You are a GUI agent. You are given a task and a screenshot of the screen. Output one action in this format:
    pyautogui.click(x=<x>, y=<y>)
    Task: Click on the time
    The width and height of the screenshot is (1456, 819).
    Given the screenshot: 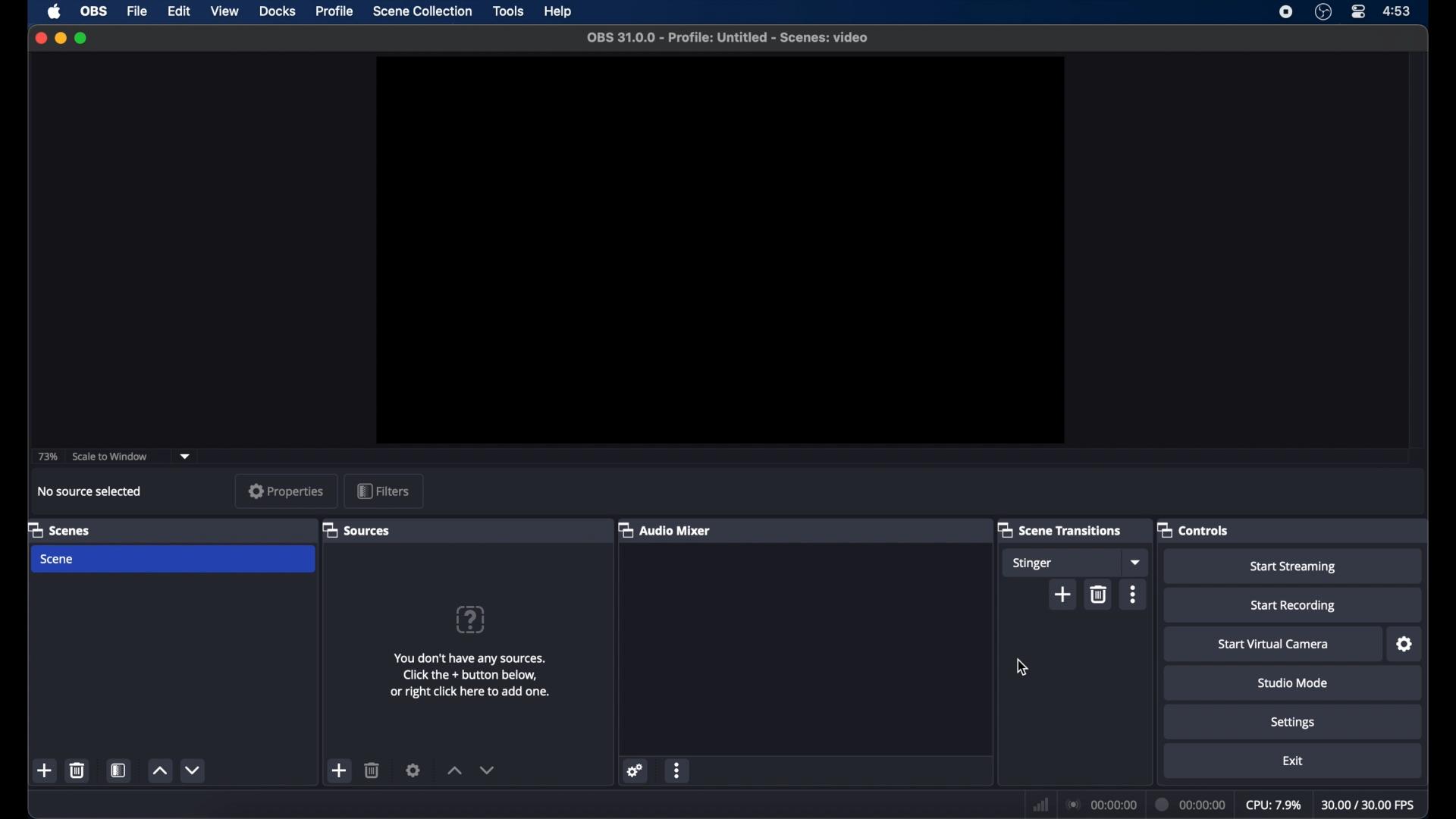 What is the action you would take?
    pyautogui.click(x=1398, y=10)
    